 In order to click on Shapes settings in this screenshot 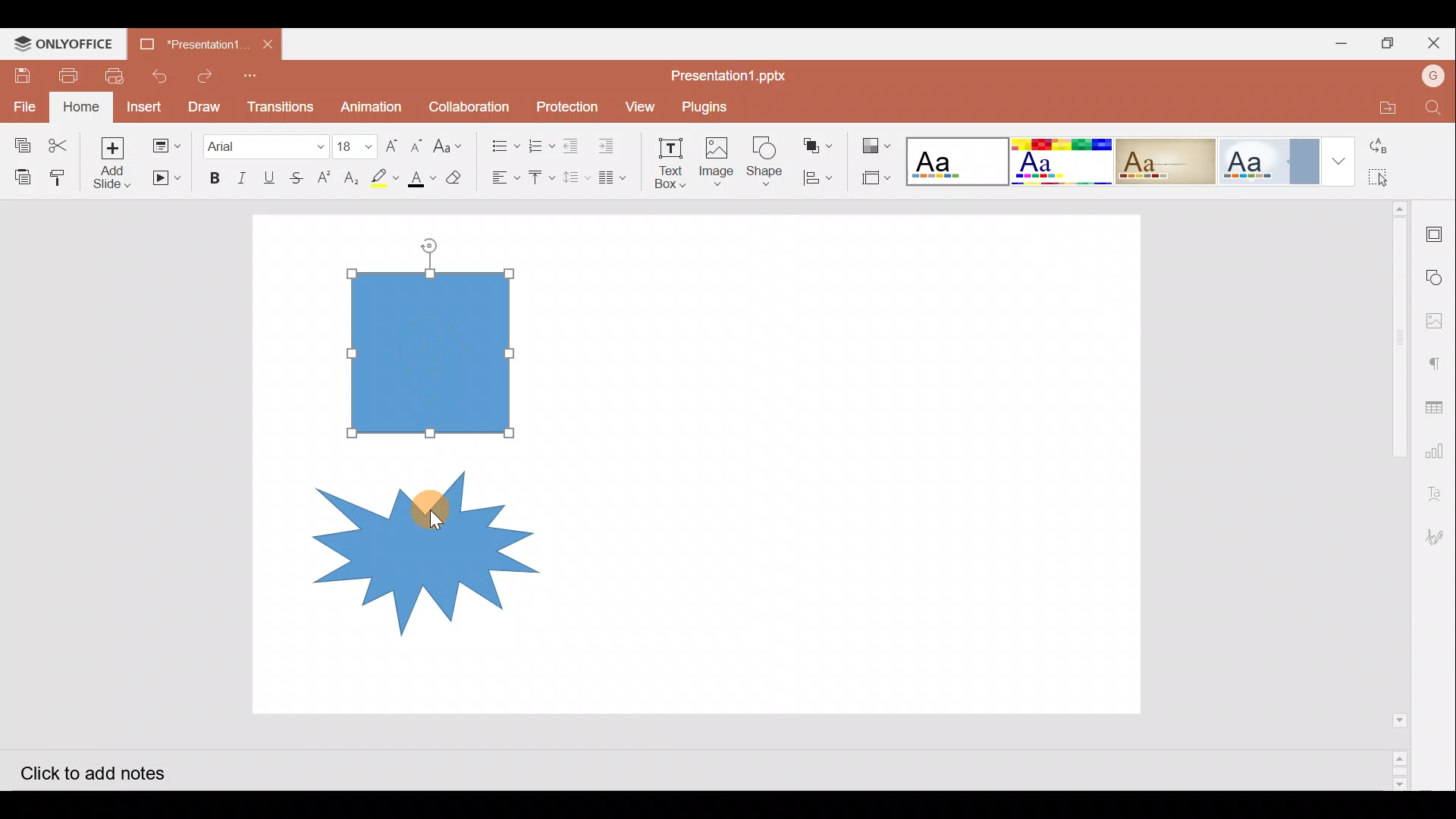, I will do `click(1437, 274)`.